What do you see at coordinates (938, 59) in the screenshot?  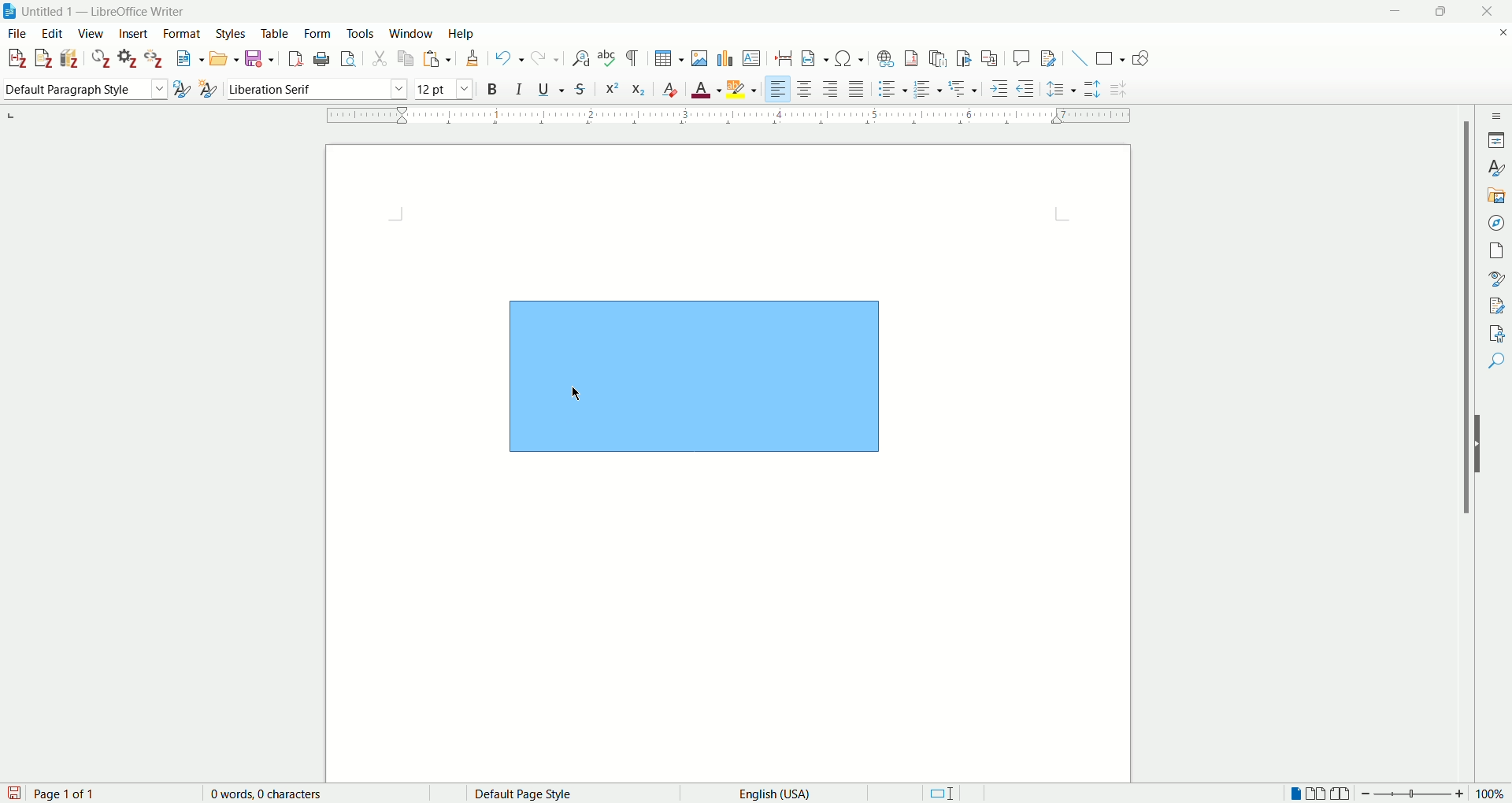 I see `insert endnote` at bounding box center [938, 59].